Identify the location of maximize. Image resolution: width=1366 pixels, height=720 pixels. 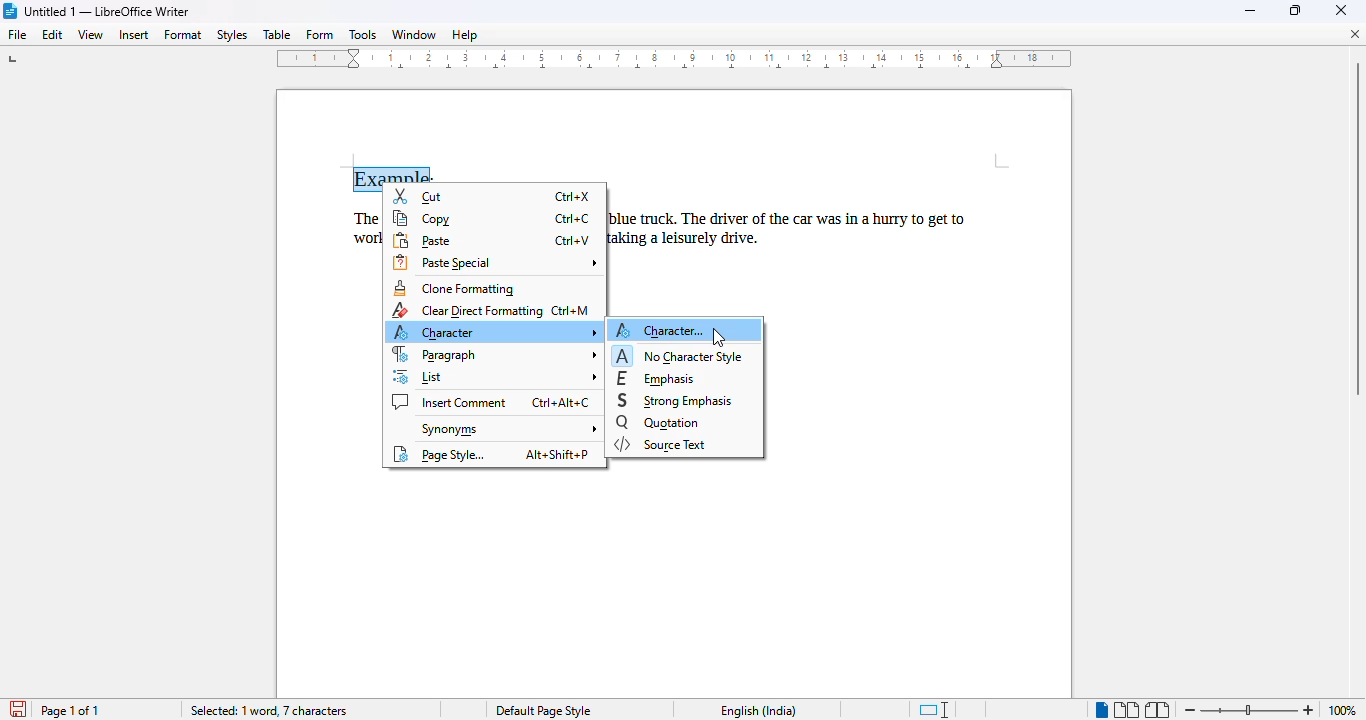
(1295, 9).